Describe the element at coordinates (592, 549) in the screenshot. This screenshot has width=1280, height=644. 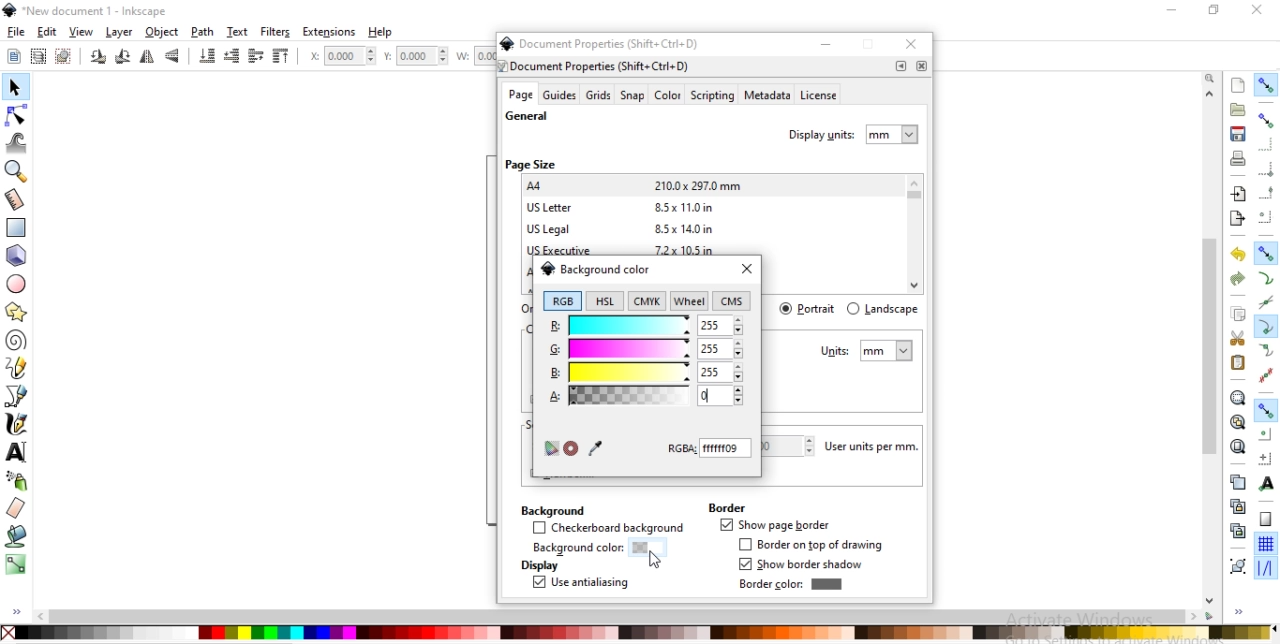
I see `background color` at that location.